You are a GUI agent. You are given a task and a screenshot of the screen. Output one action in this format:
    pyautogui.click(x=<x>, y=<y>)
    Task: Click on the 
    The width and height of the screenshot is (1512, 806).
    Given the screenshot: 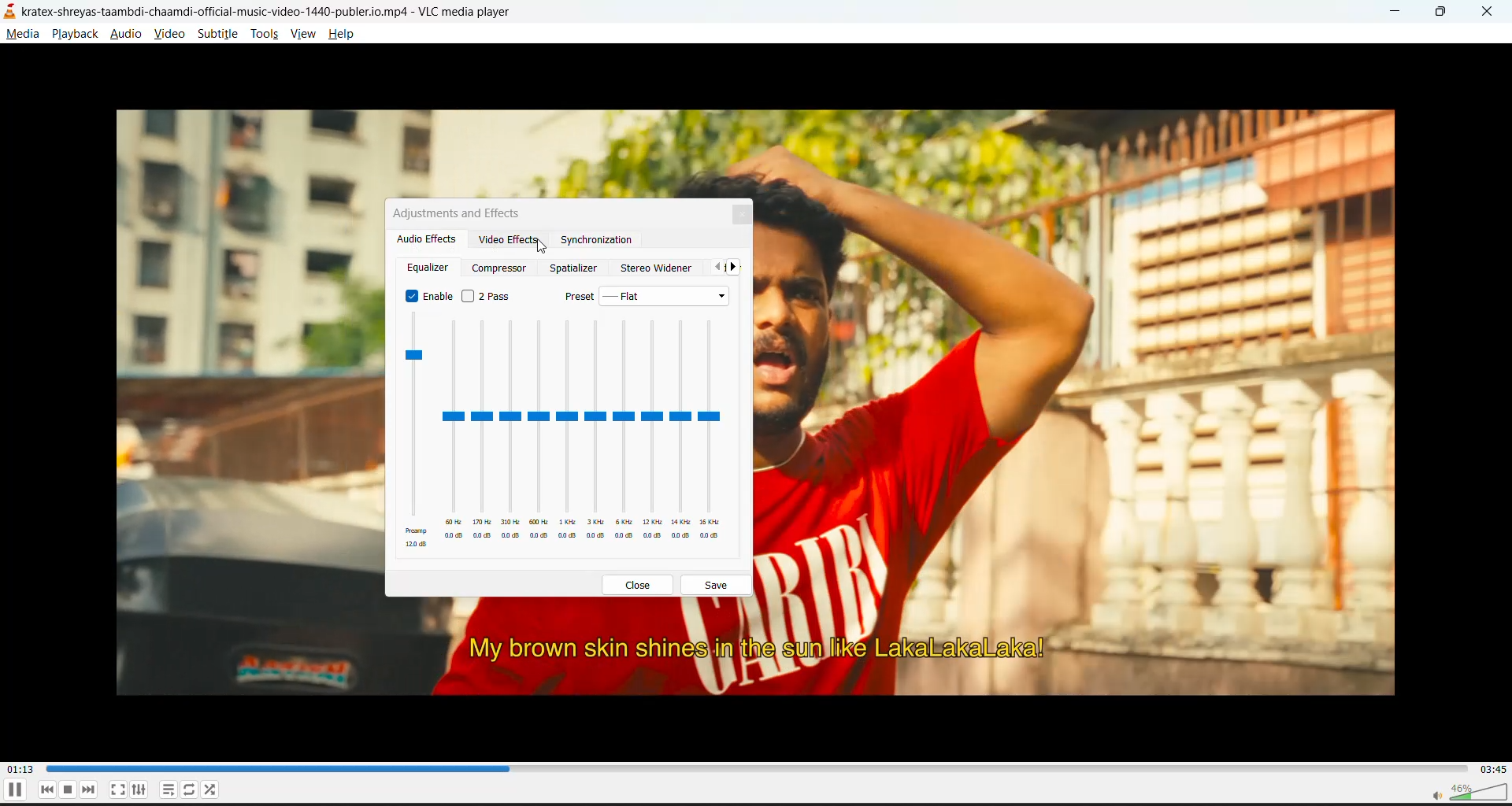 What is the action you would take?
    pyautogui.click(x=535, y=442)
    